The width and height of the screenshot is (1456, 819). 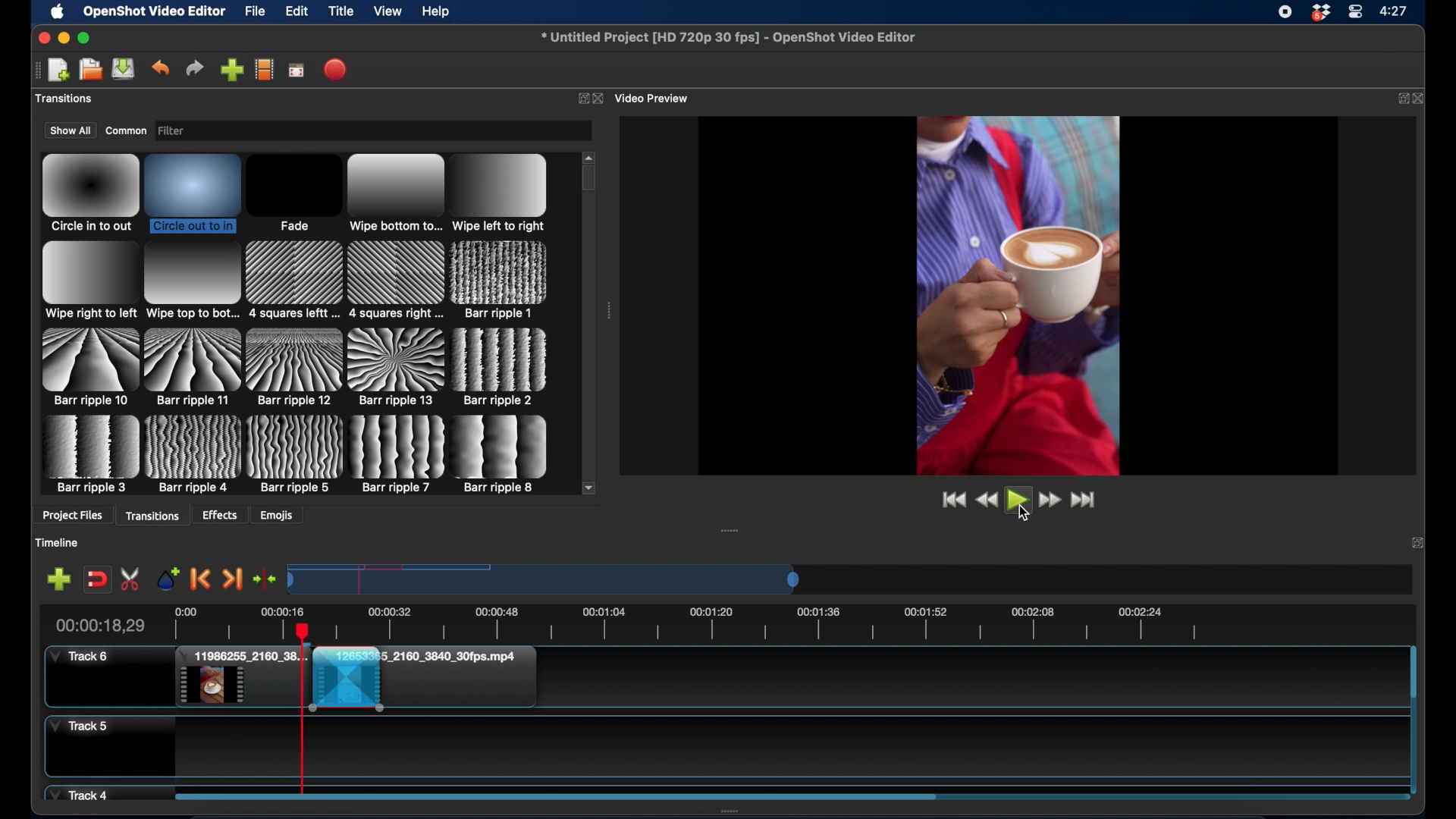 What do you see at coordinates (58, 71) in the screenshot?
I see `open project` at bounding box center [58, 71].